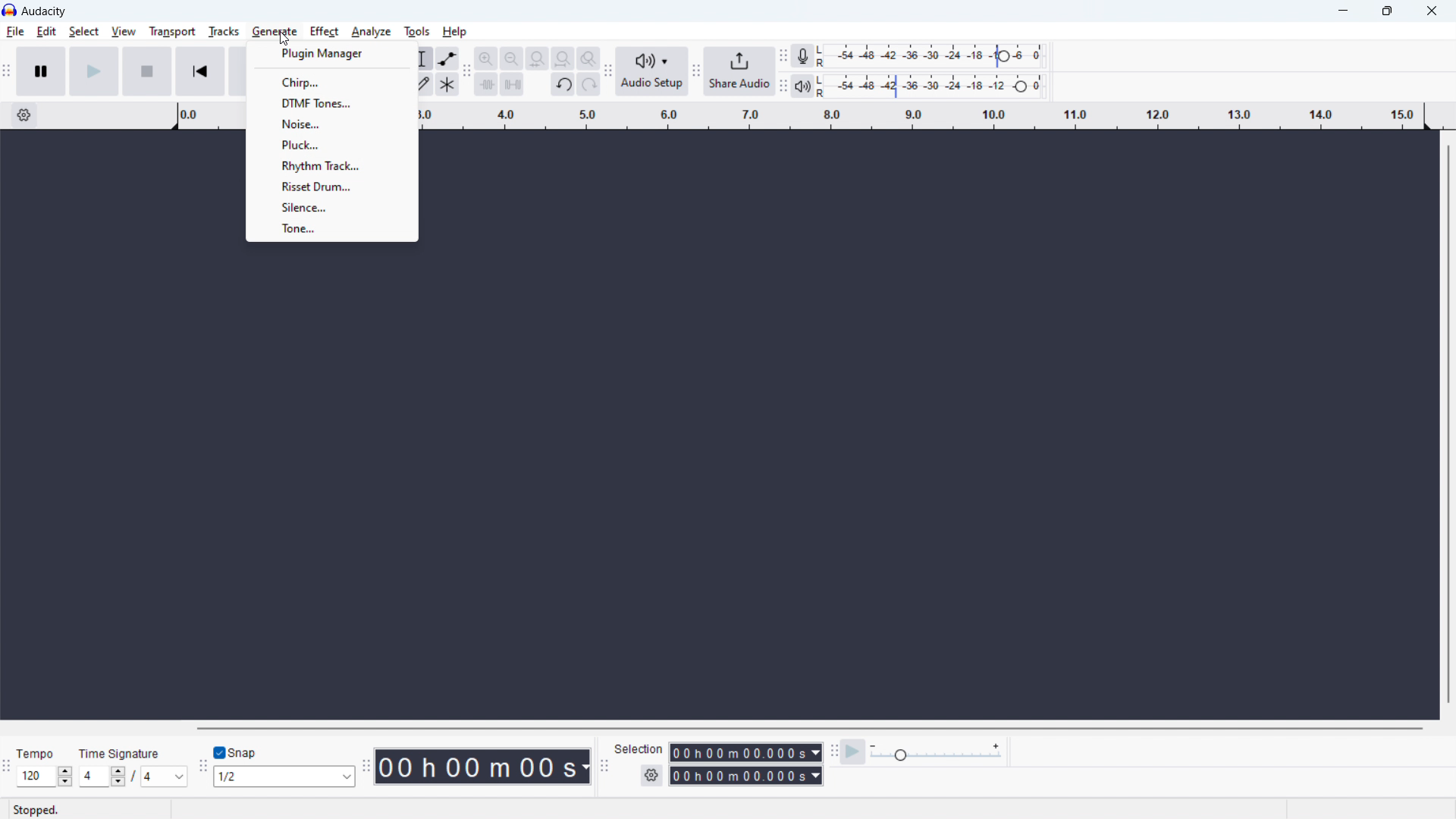 Image resolution: width=1456 pixels, height=819 pixels. What do you see at coordinates (921, 114) in the screenshot?
I see `timeline` at bounding box center [921, 114].